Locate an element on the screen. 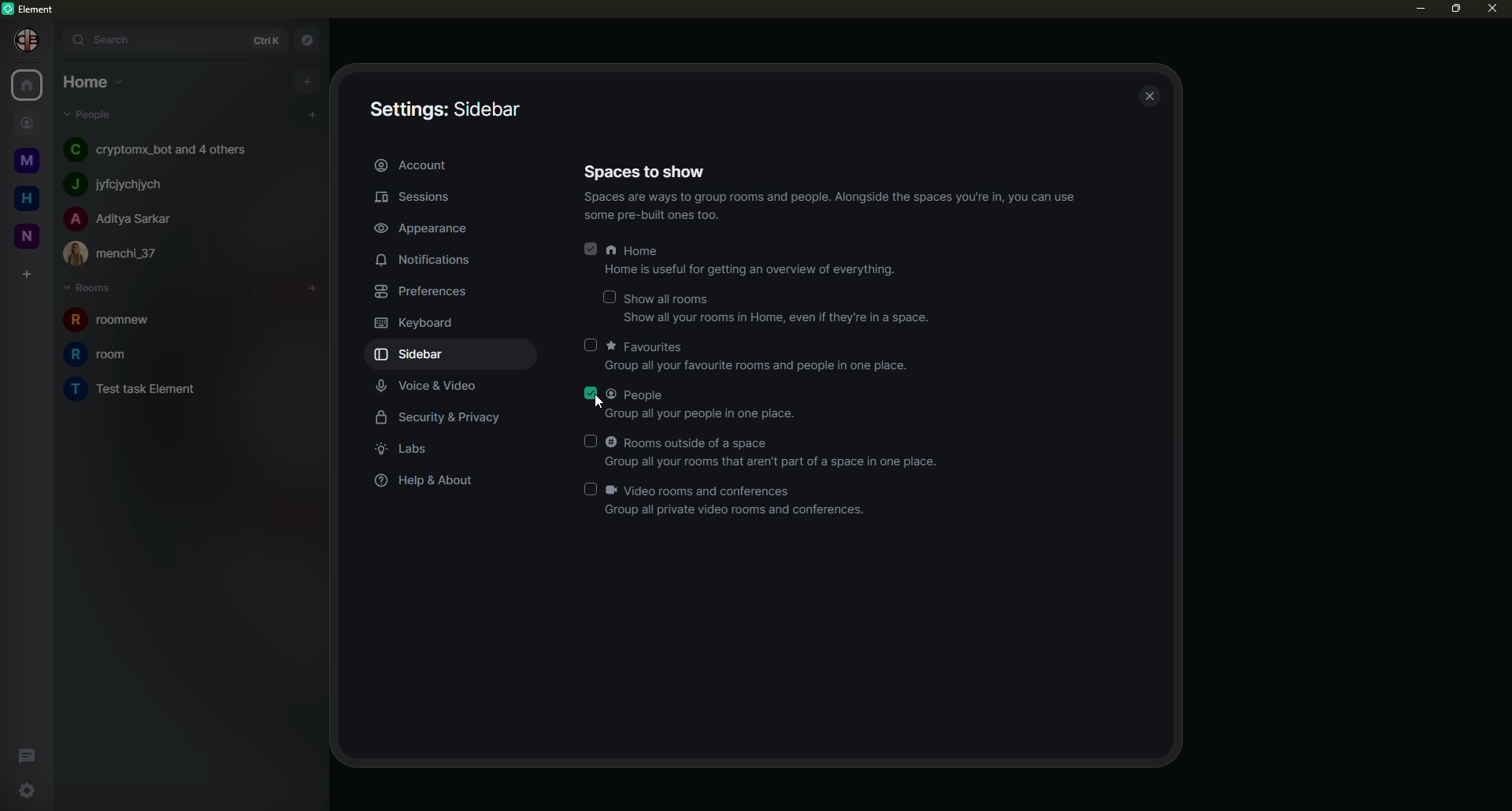 The image size is (1512, 811). rooms is located at coordinates (93, 288).